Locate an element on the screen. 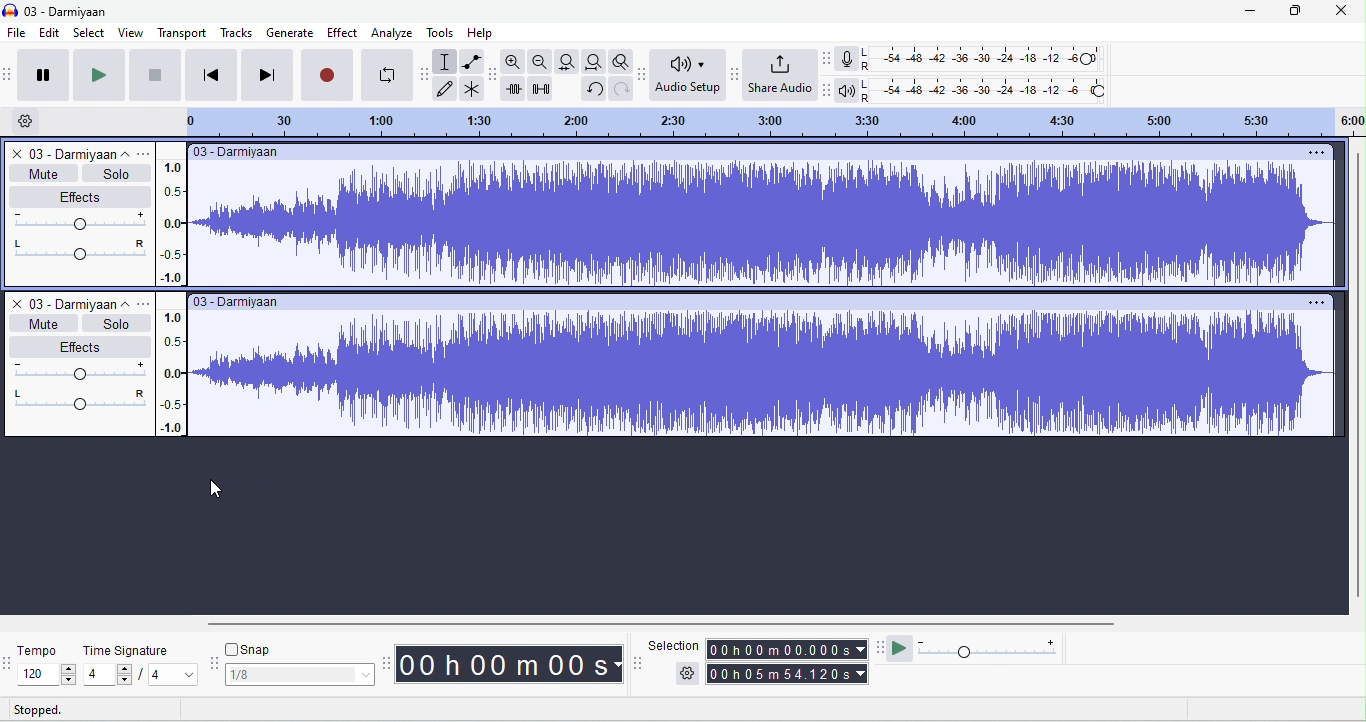 This screenshot has height=722, width=1366. record is located at coordinates (329, 75).